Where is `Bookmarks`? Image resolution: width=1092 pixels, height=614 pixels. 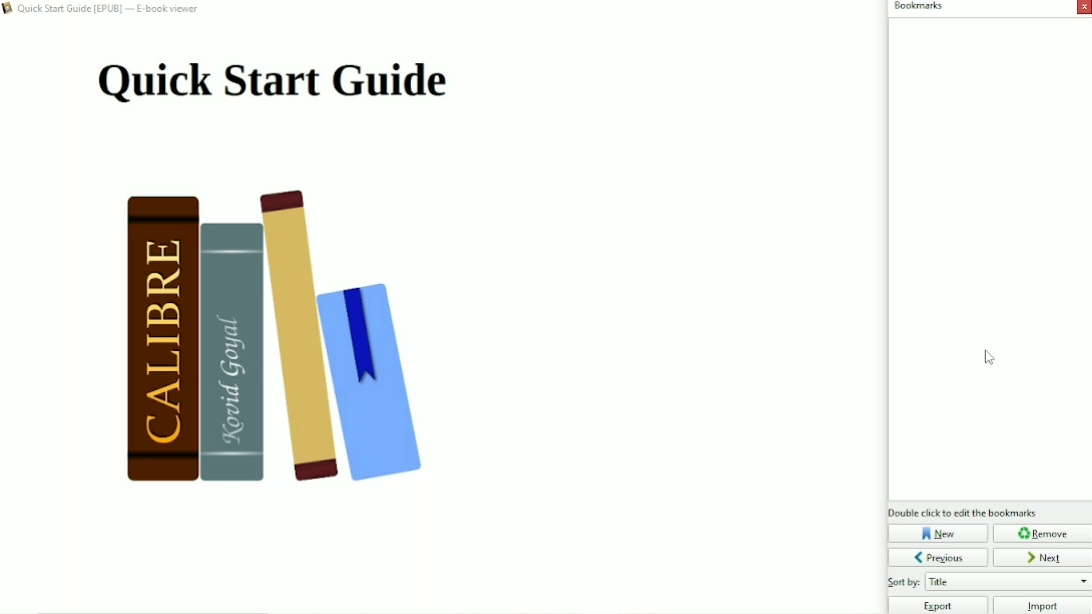
Bookmarks is located at coordinates (922, 7).